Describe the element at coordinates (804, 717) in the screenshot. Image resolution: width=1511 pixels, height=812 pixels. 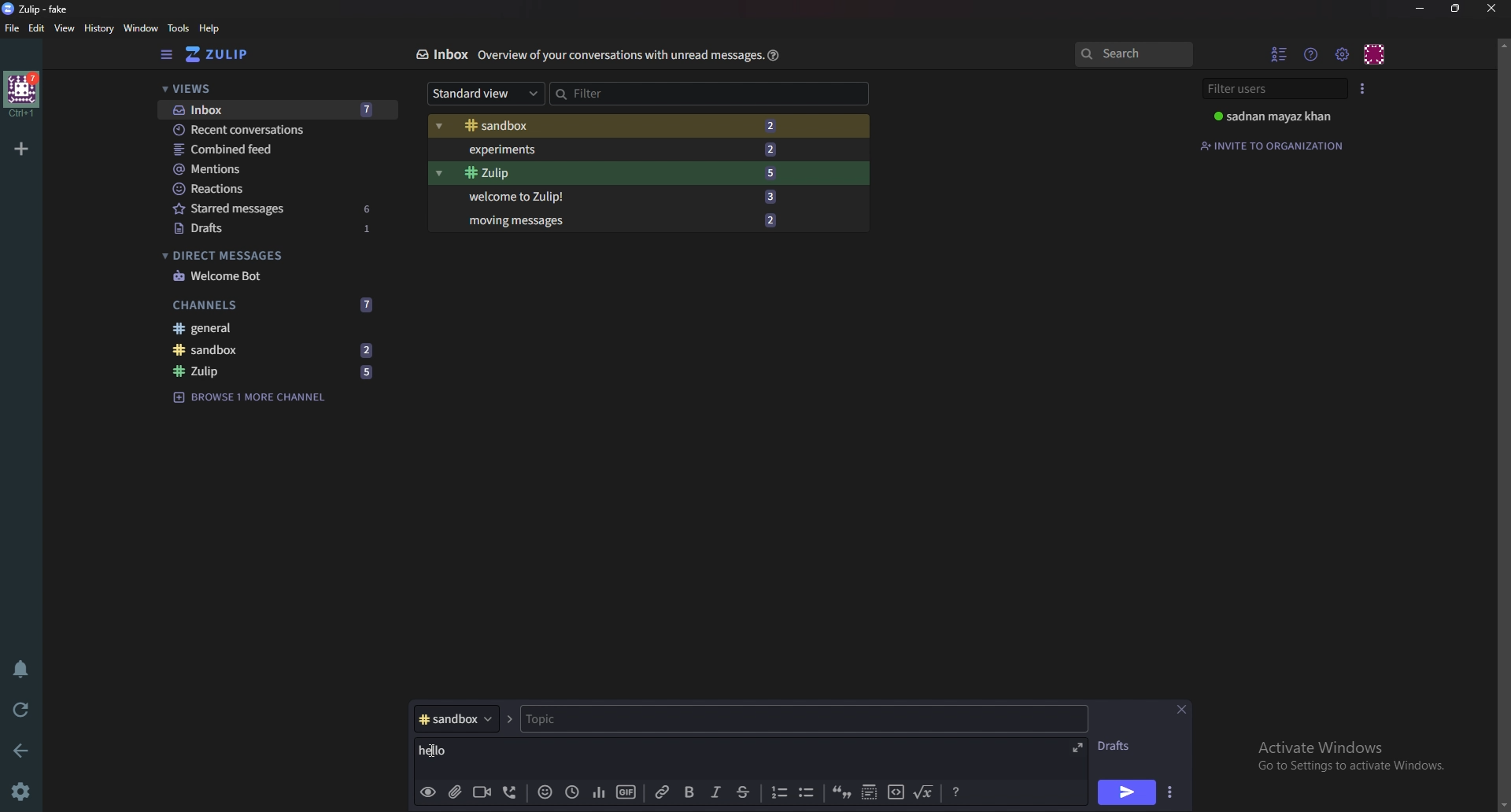
I see `Topic` at that location.